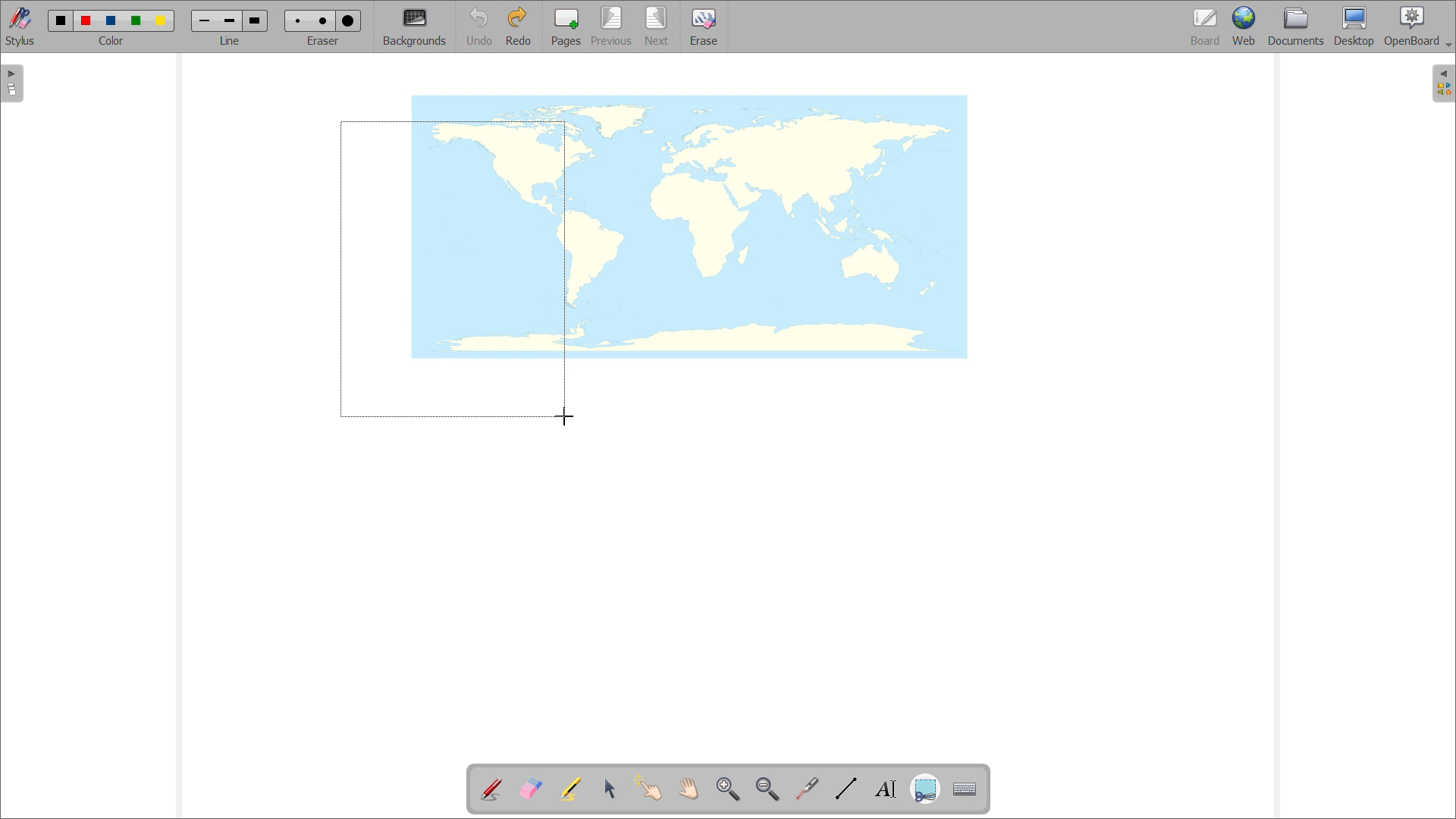 Image resolution: width=1456 pixels, height=819 pixels. What do you see at coordinates (490, 787) in the screenshot?
I see `add annotation` at bounding box center [490, 787].